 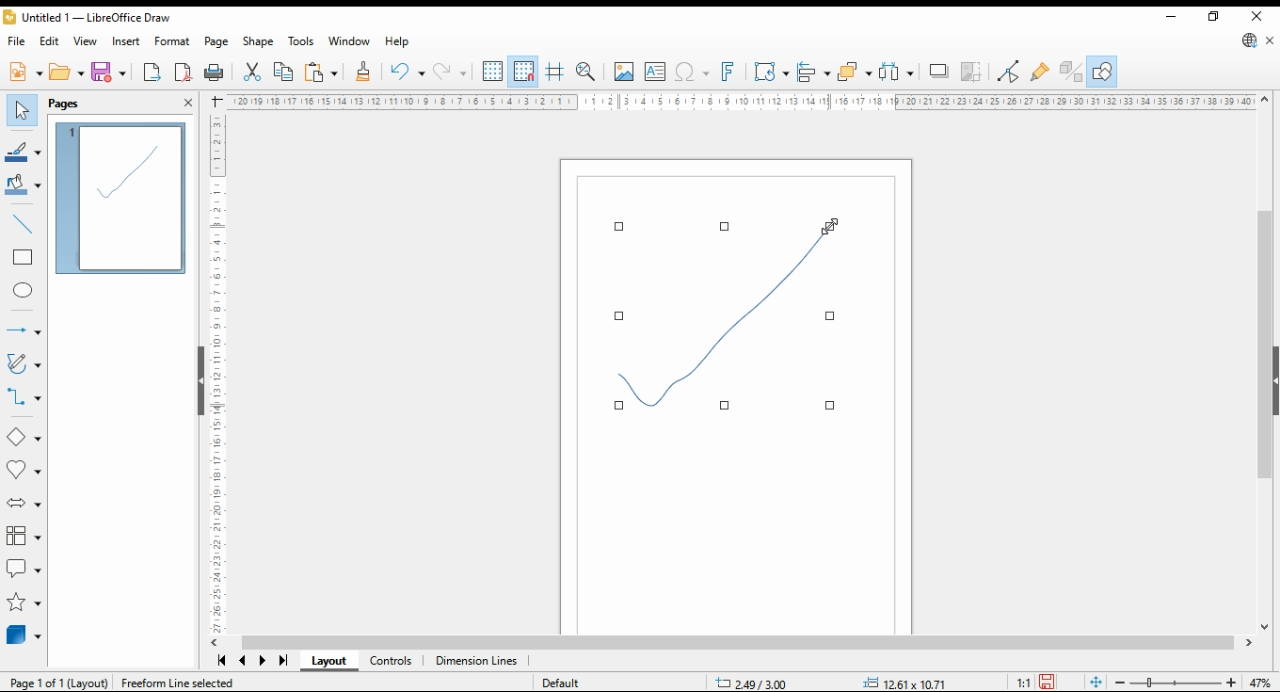 I want to click on edit, so click(x=50, y=41).